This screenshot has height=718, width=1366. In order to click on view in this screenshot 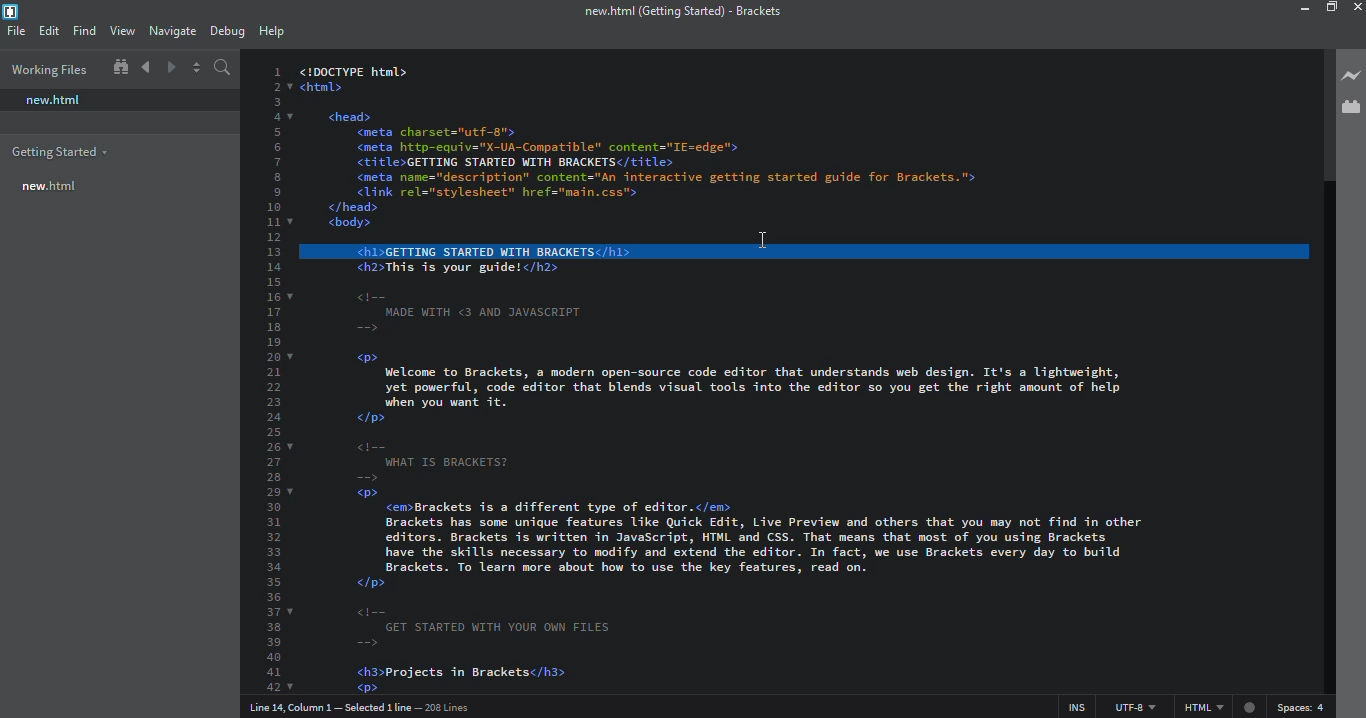, I will do `click(122, 31)`.